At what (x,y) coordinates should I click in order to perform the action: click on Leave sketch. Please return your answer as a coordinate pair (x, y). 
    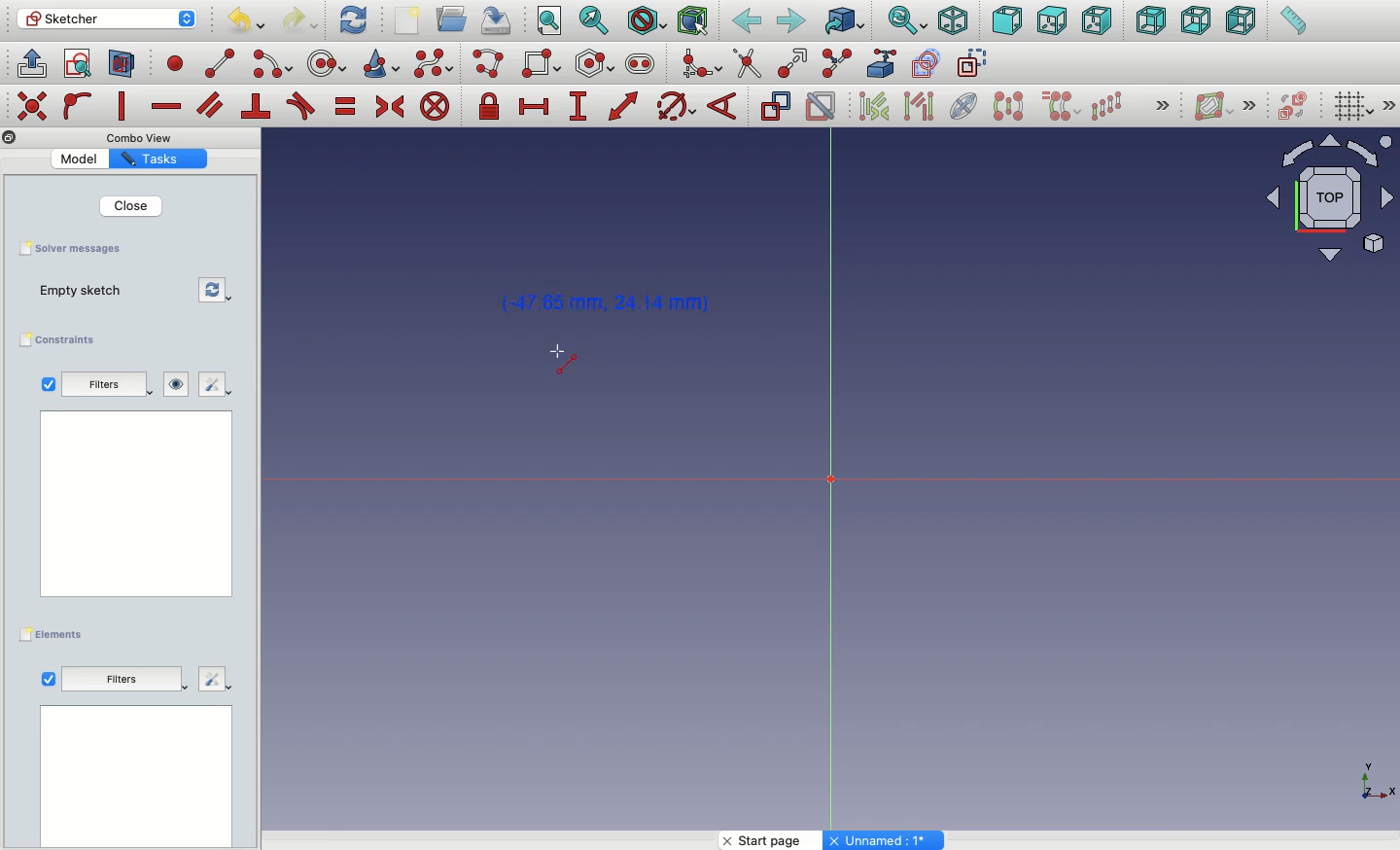
    Looking at the image, I should click on (31, 62).